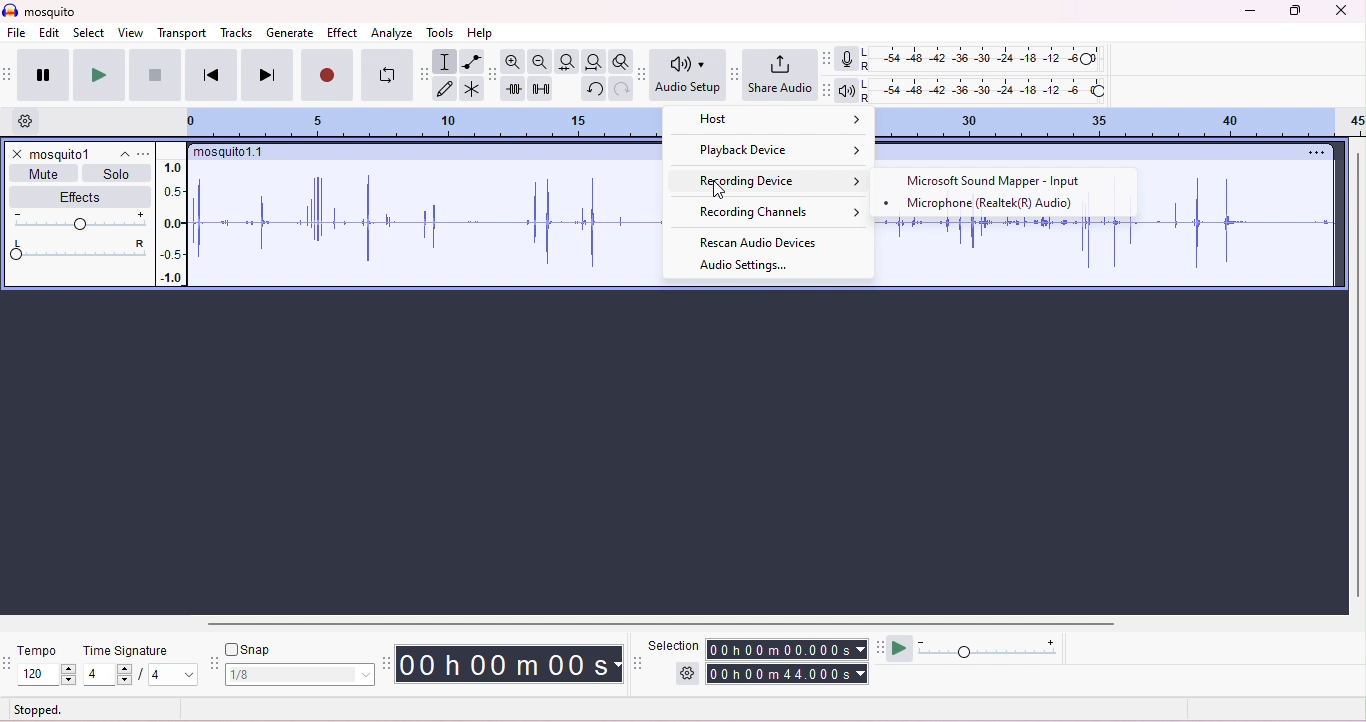  Describe the element at coordinates (144, 154) in the screenshot. I see `options` at that location.